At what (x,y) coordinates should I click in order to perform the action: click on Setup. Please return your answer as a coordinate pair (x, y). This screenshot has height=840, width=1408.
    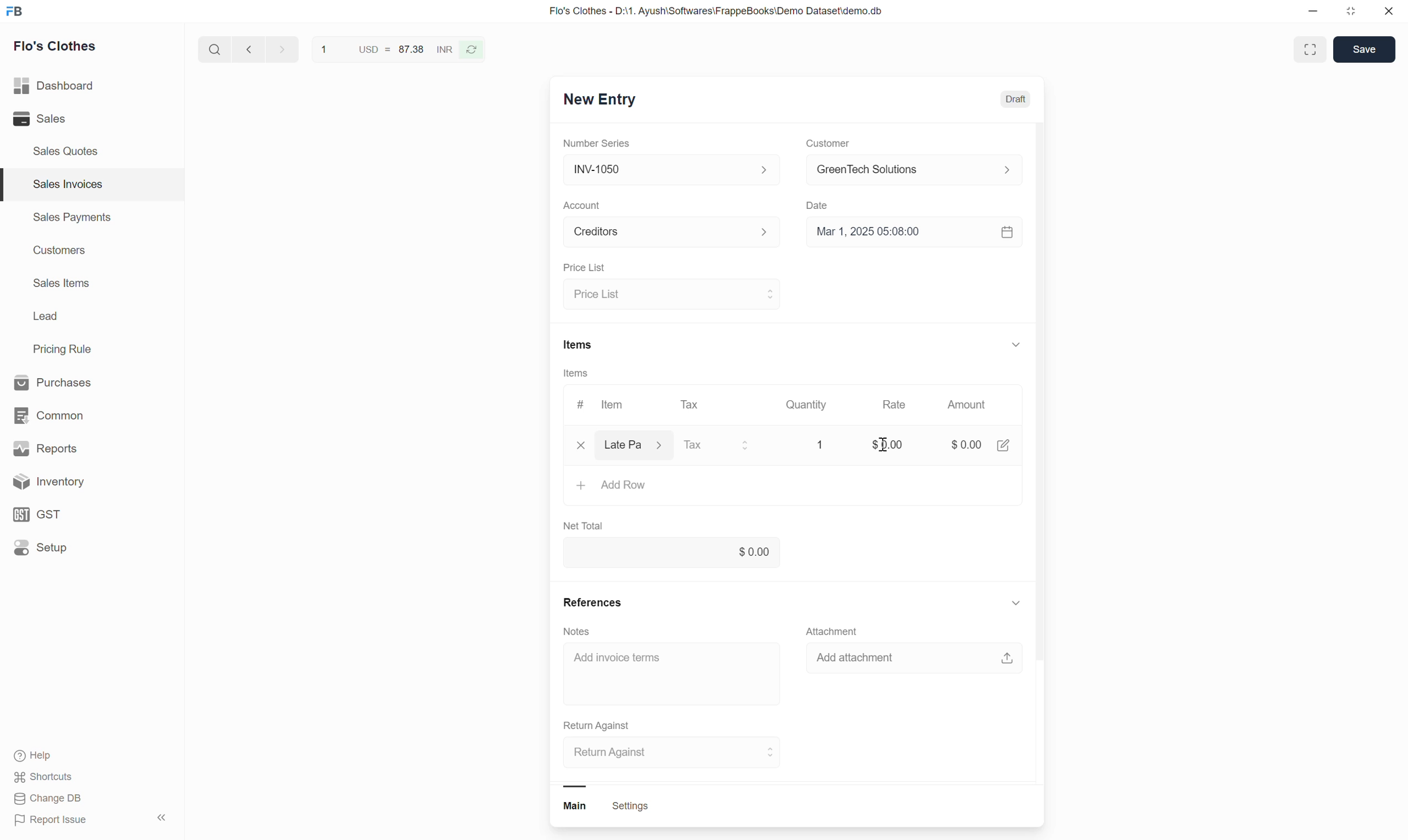
    Looking at the image, I should click on (82, 551).